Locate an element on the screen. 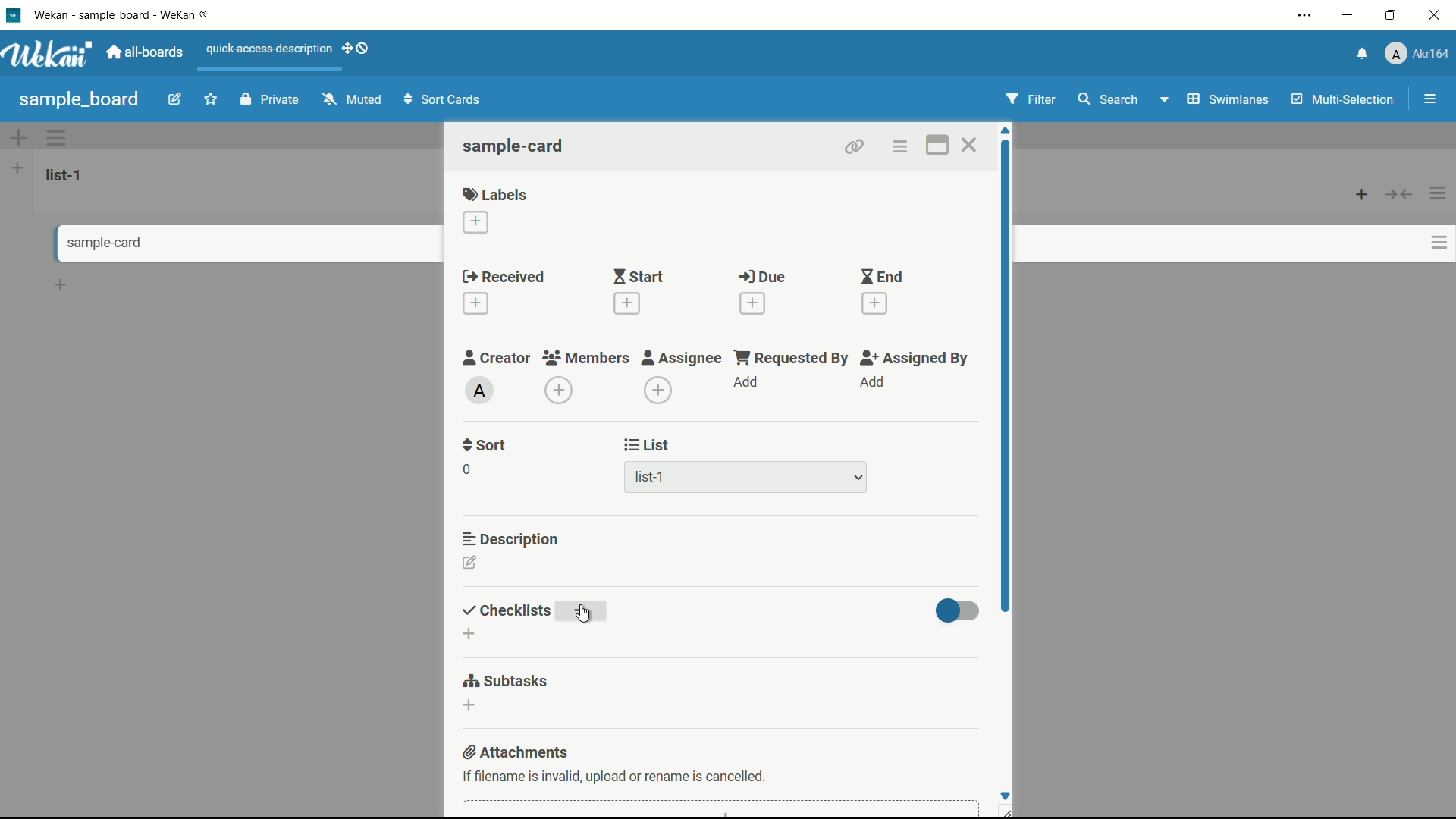 The image size is (1456, 819). subtasks is located at coordinates (504, 681).